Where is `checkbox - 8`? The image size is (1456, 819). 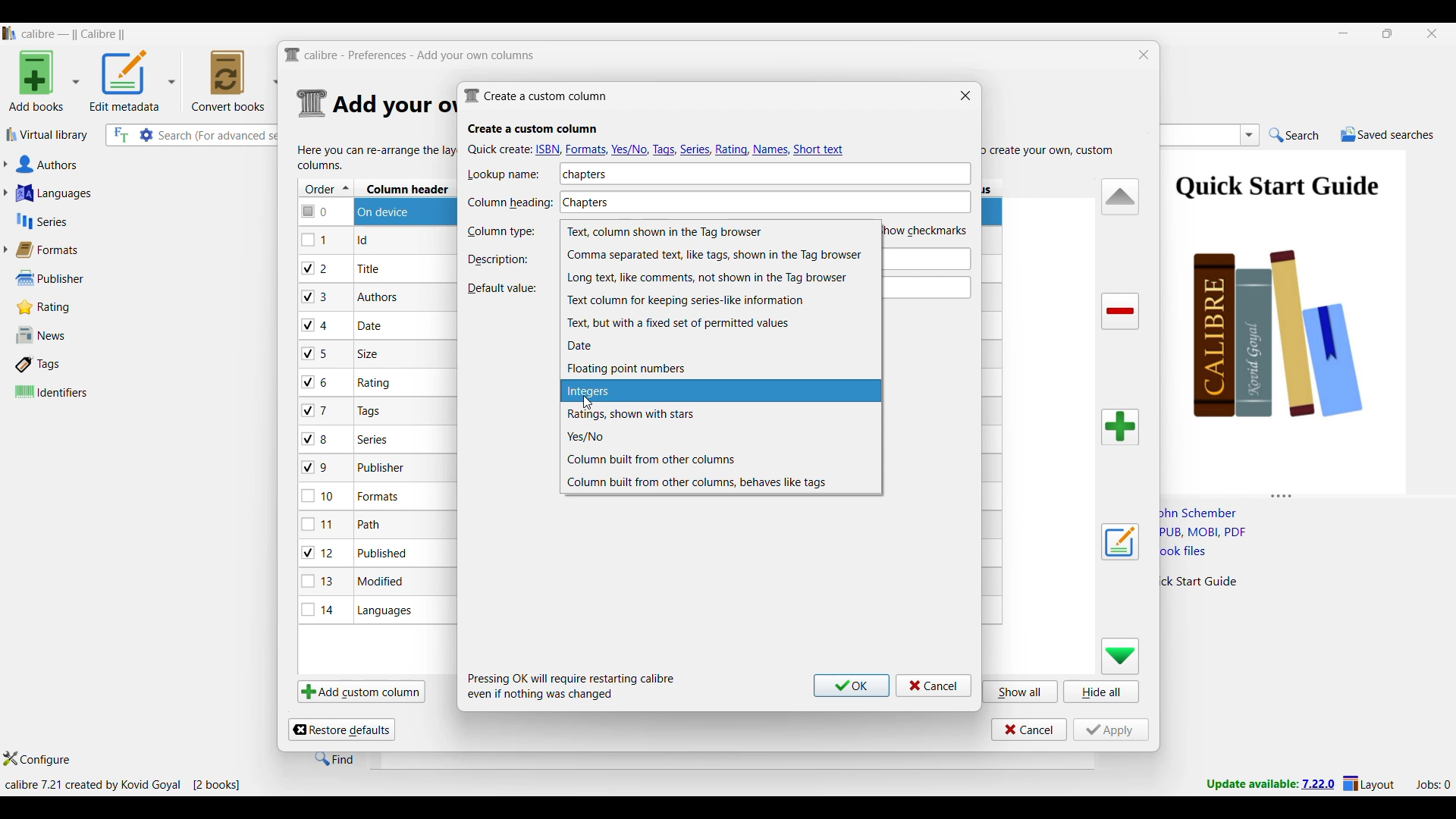
checkbox - 8 is located at coordinates (316, 438).